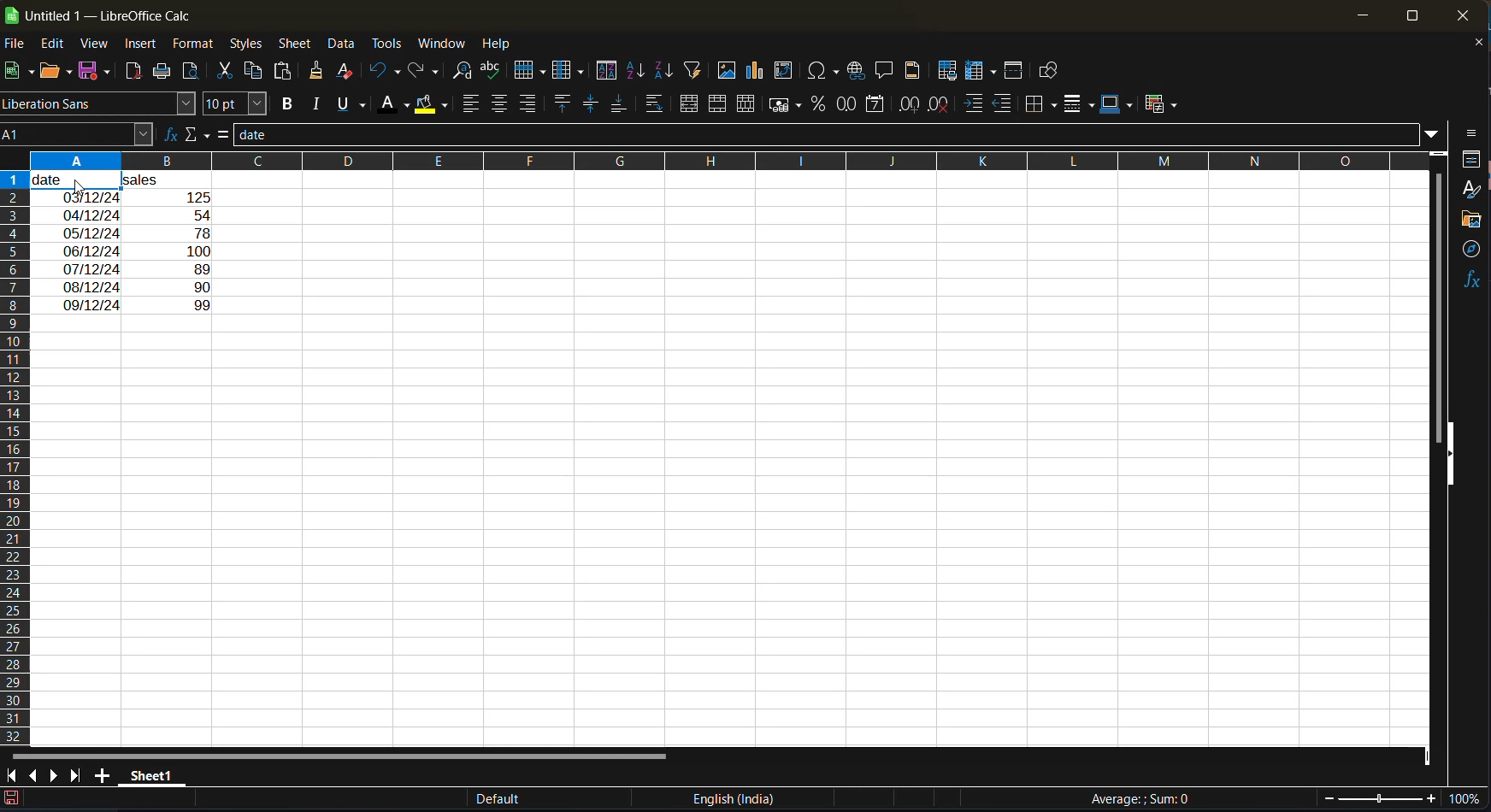 The width and height of the screenshot is (1491, 812). Describe the element at coordinates (290, 104) in the screenshot. I see `bold` at that location.